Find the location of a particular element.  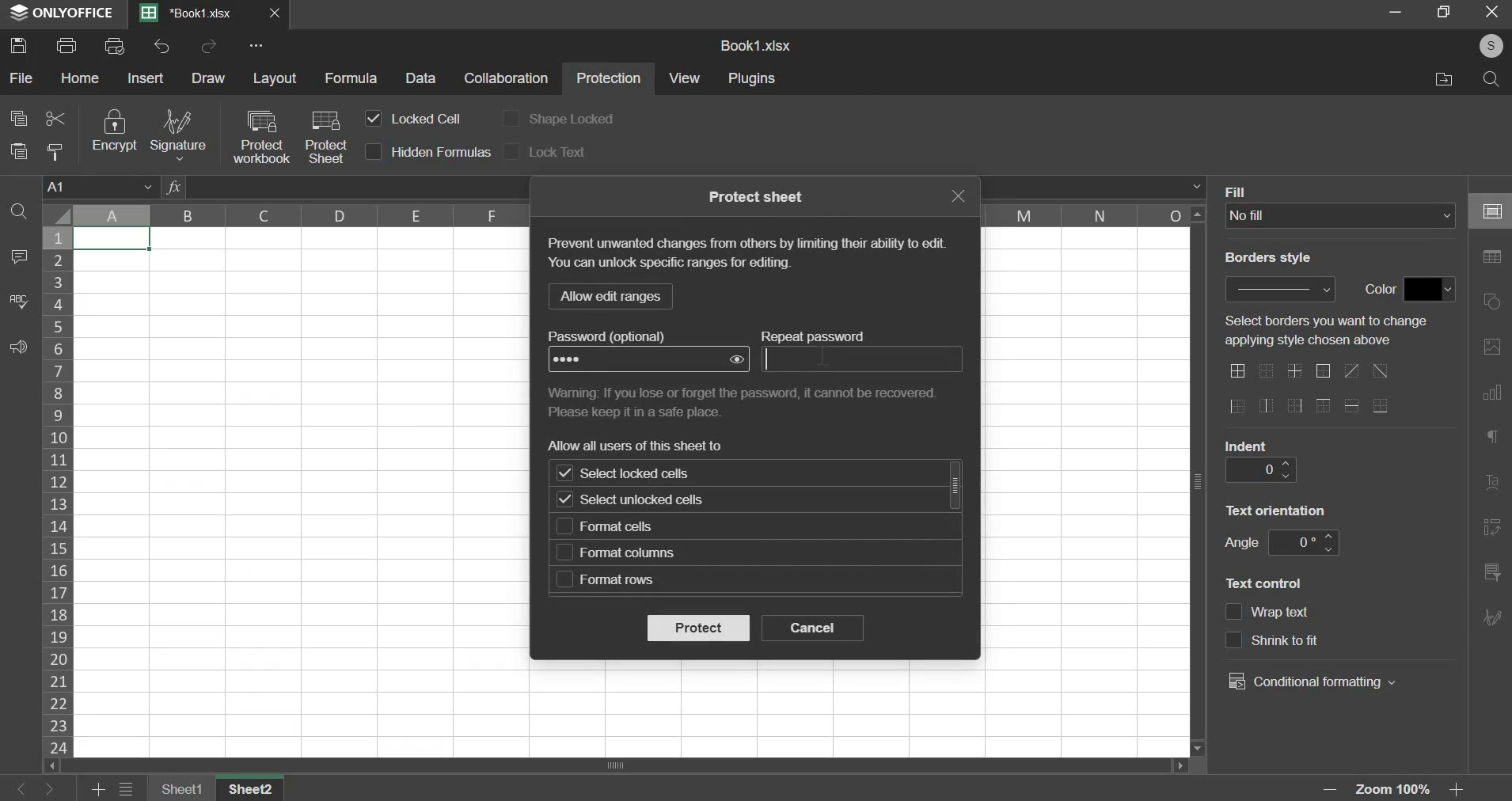

formula bar is located at coordinates (1196, 186).